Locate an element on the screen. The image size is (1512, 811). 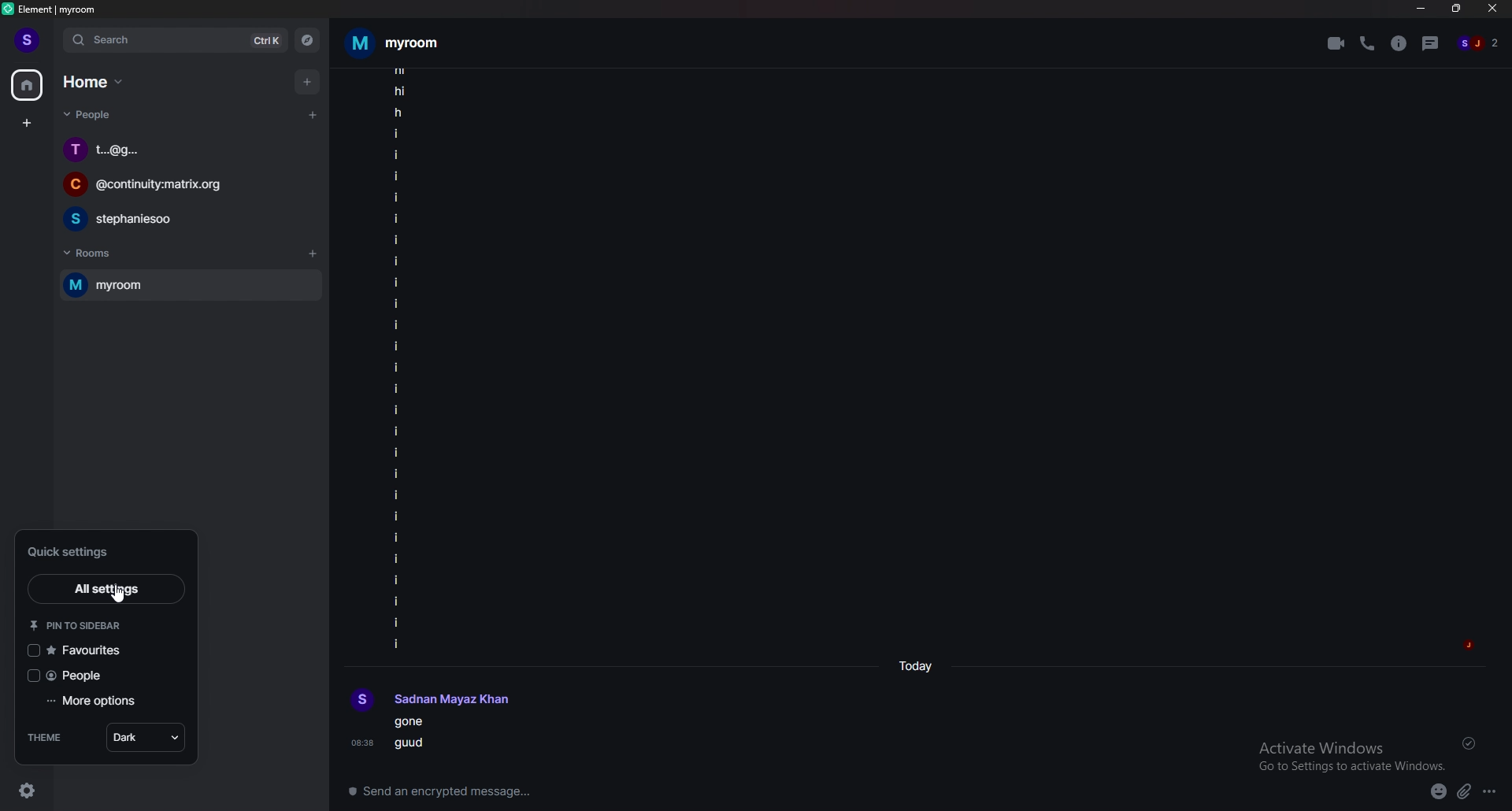
resize is located at coordinates (1458, 9).